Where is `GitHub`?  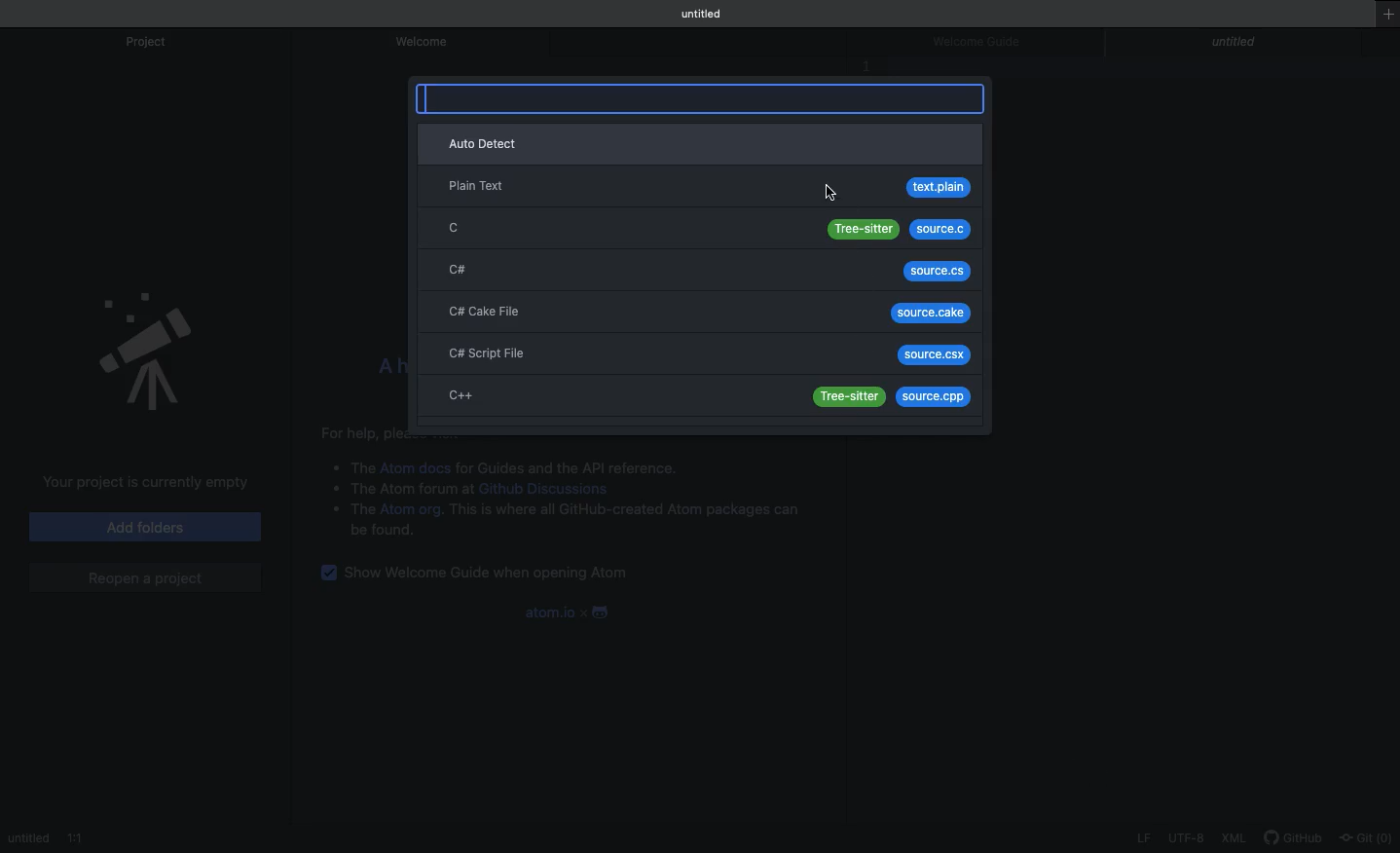
GitHub is located at coordinates (1295, 834).